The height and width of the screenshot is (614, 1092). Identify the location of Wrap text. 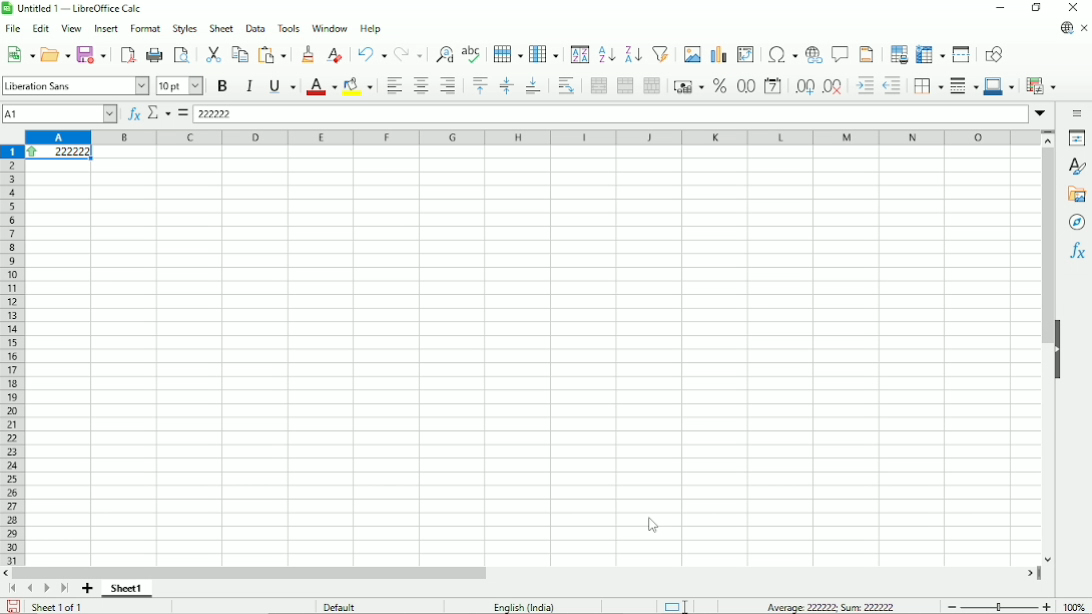
(566, 85).